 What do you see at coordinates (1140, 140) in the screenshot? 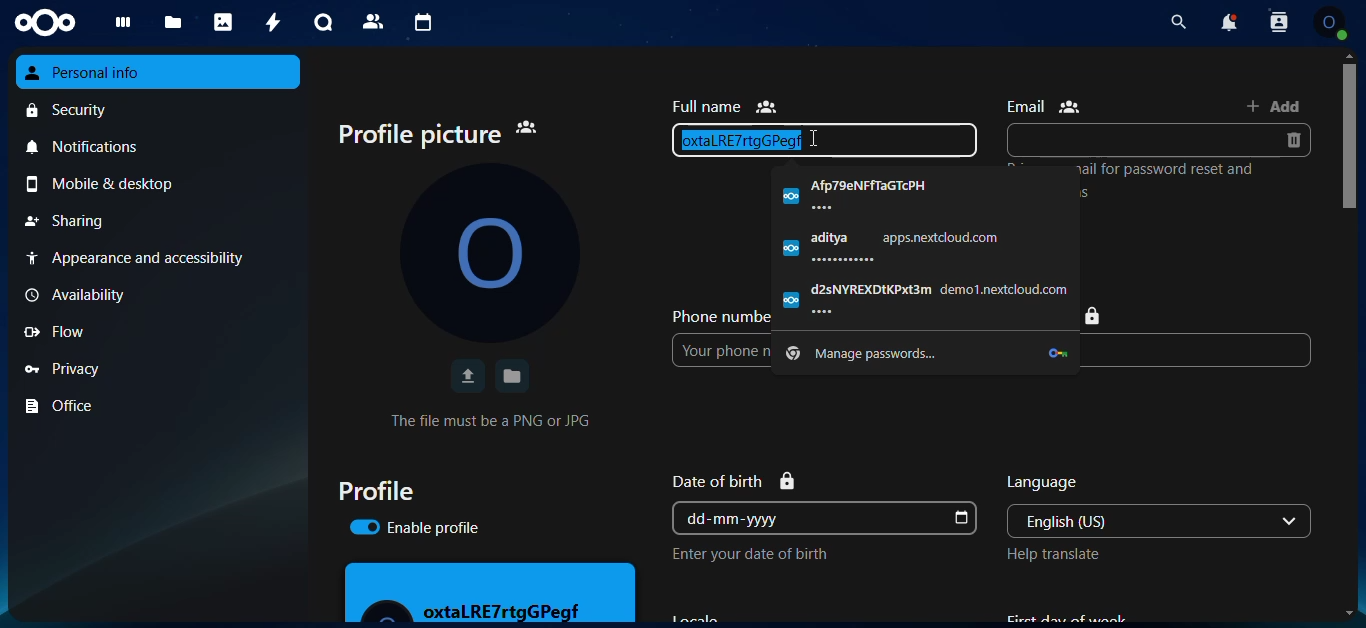
I see `email input box` at bounding box center [1140, 140].